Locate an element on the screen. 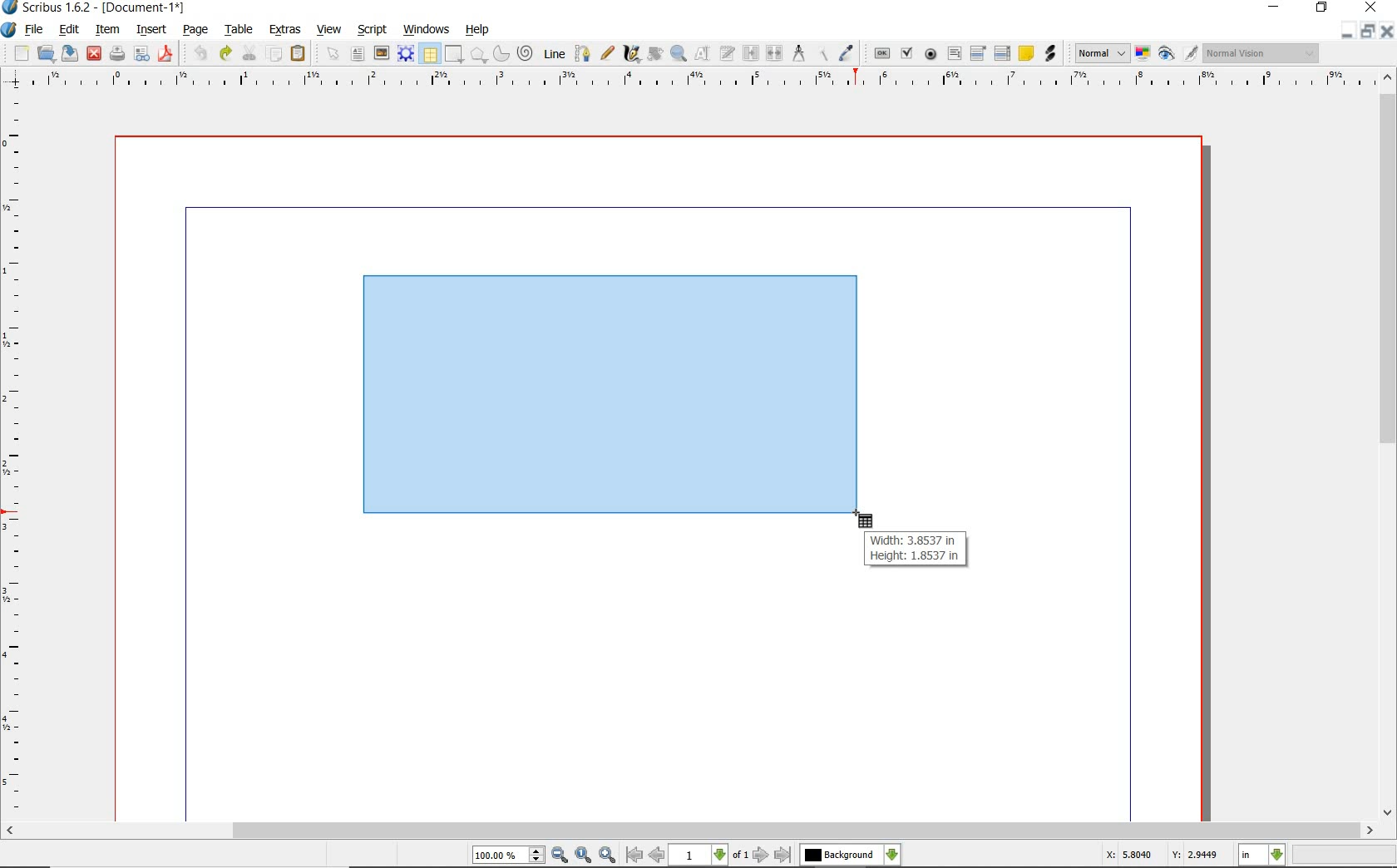 The image size is (1397, 868). pdf check box is located at coordinates (909, 55).